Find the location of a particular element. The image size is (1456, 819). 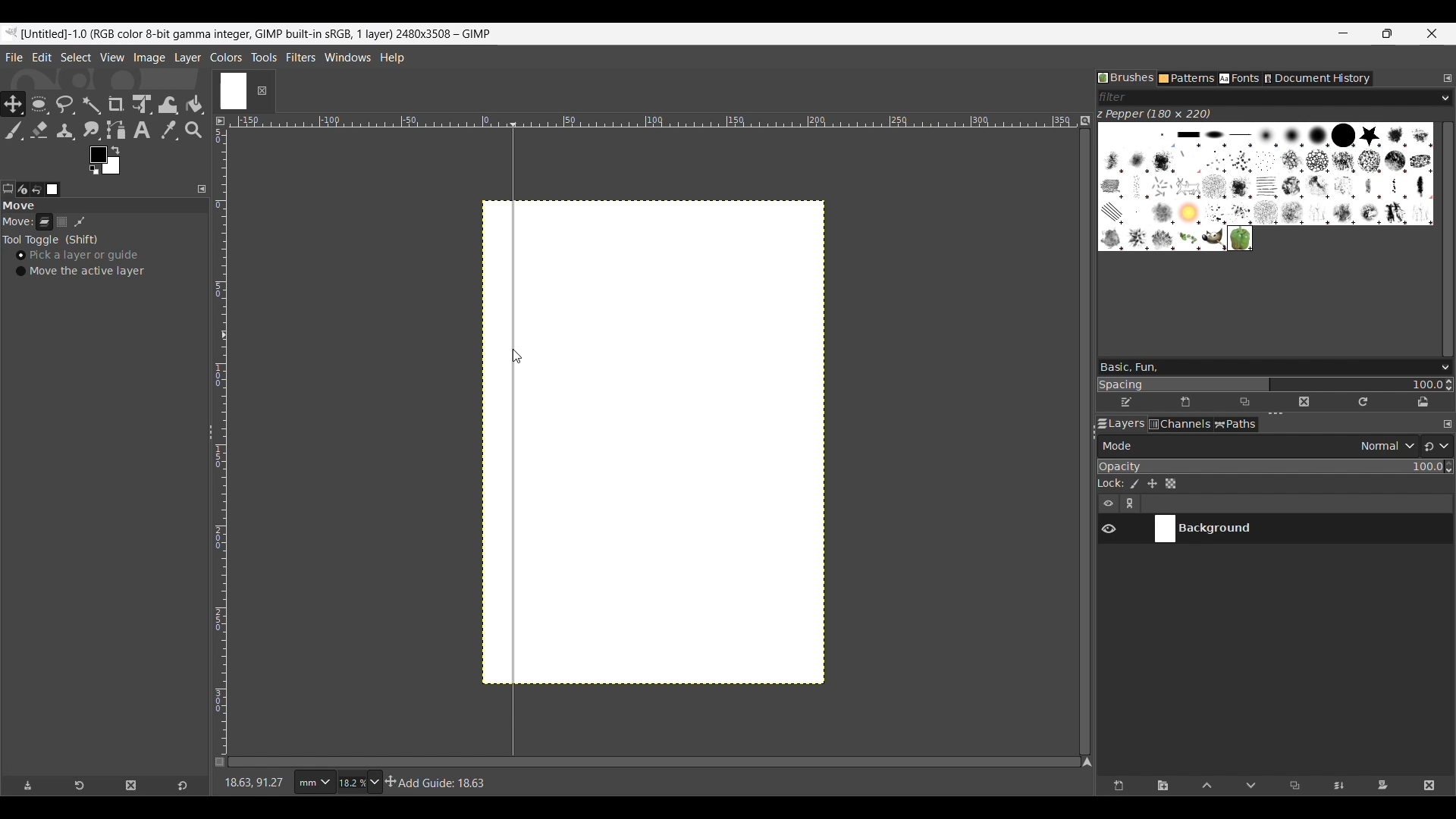

Change spacing is located at coordinates (1269, 384).